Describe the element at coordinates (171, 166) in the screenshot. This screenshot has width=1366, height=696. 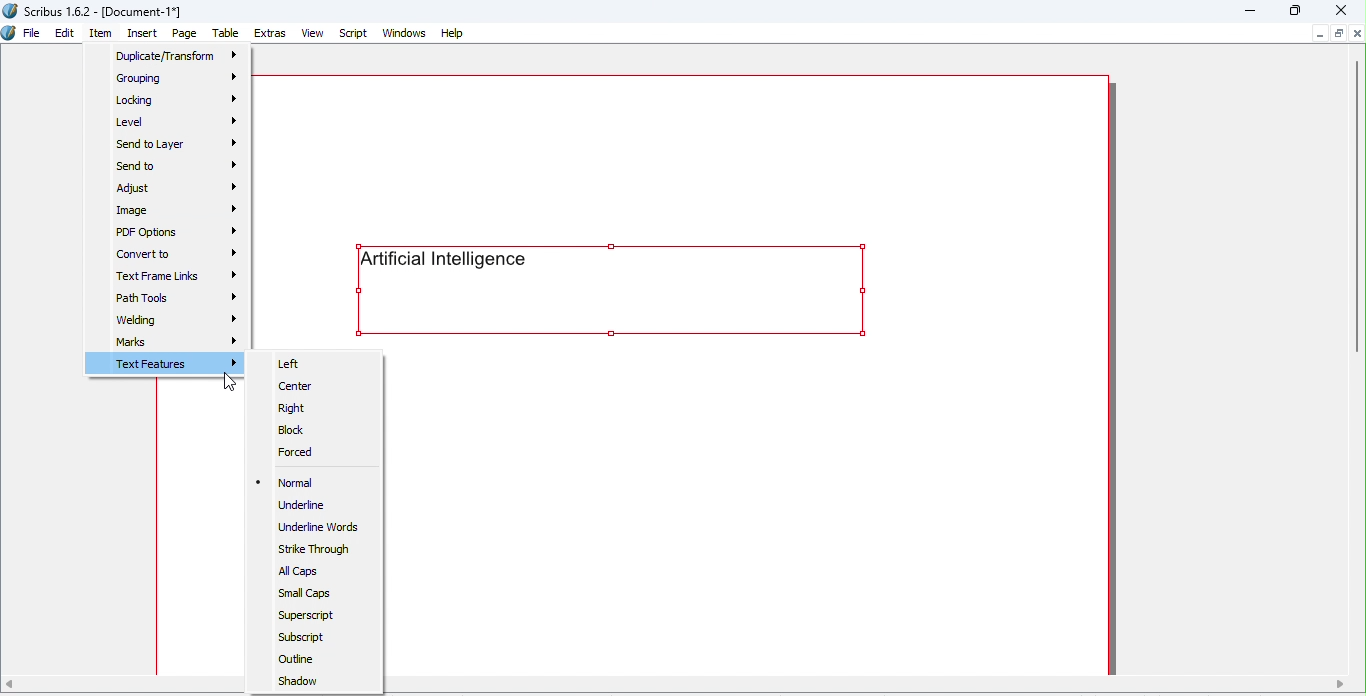
I see `Send to` at that location.